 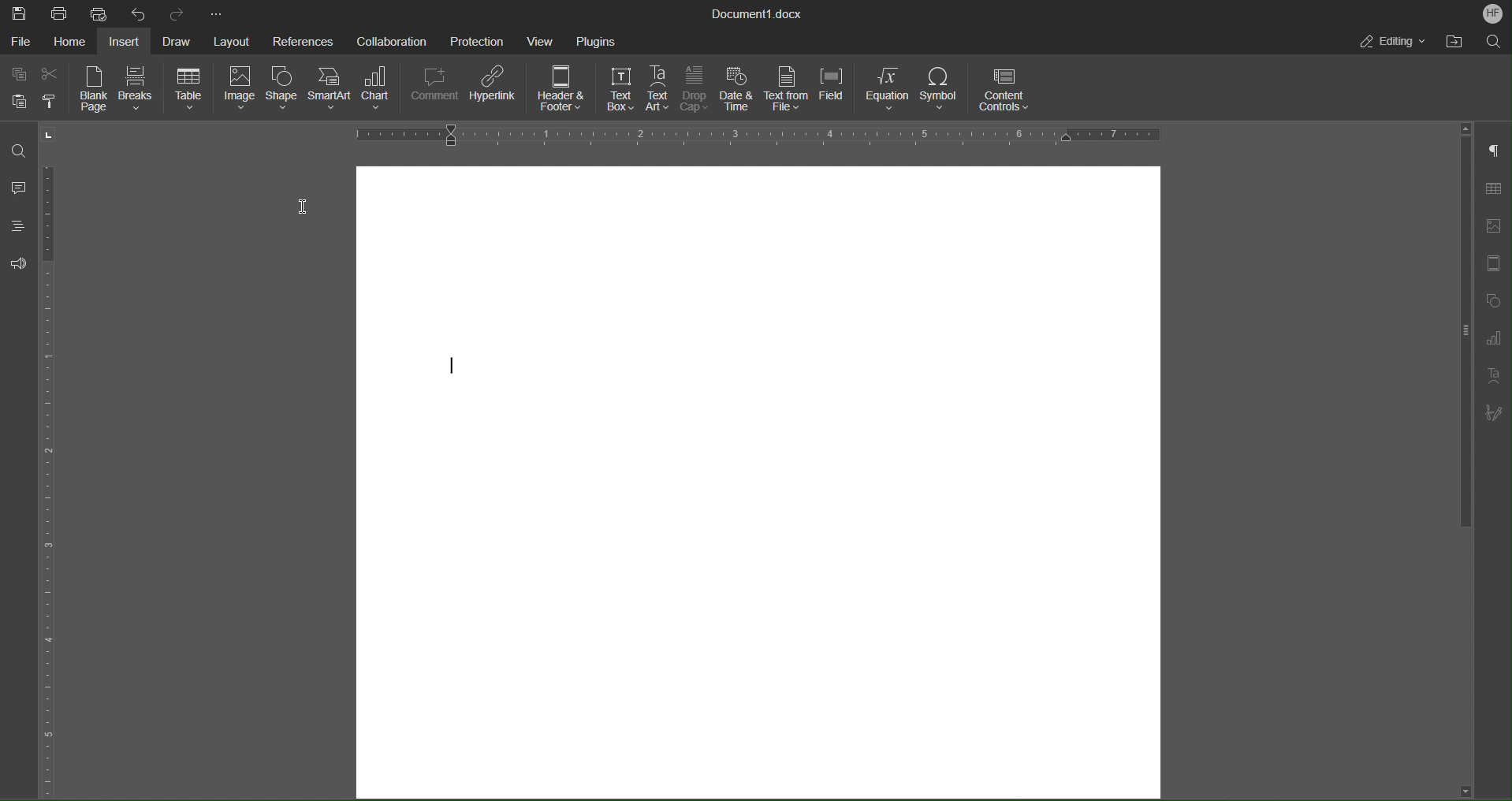 What do you see at coordinates (471, 38) in the screenshot?
I see `Protection` at bounding box center [471, 38].